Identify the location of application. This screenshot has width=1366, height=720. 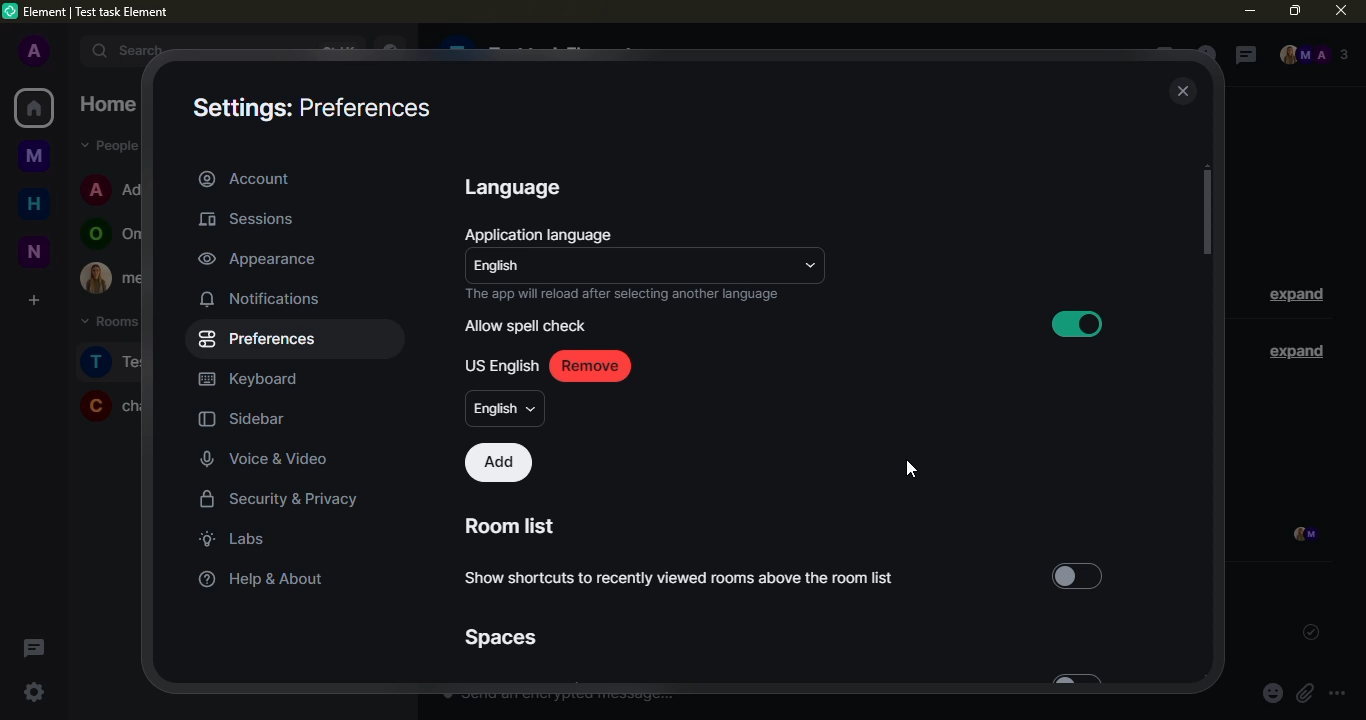
(542, 236).